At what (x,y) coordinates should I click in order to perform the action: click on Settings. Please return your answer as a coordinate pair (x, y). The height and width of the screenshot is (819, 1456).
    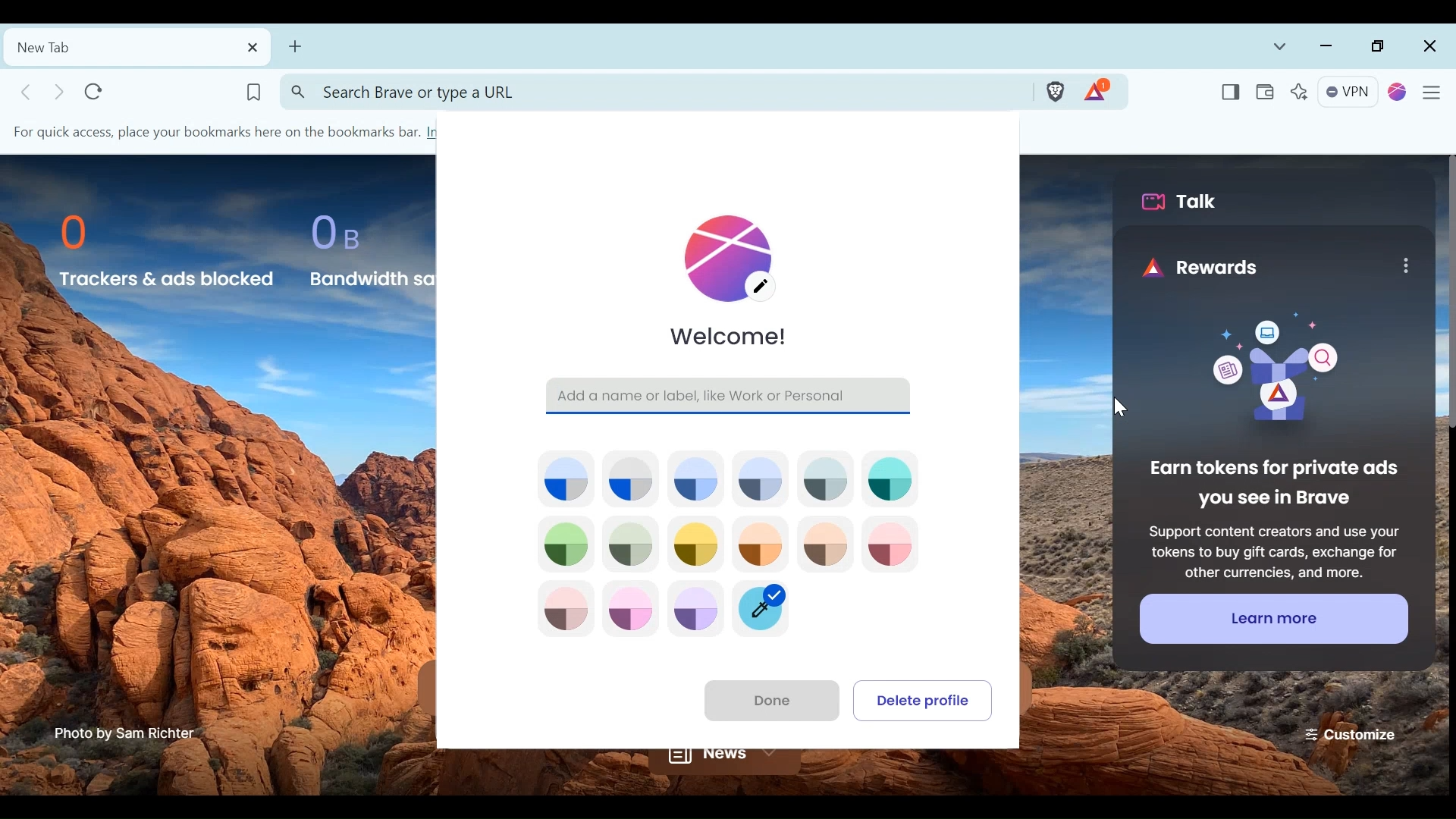
    Looking at the image, I should click on (137, 46).